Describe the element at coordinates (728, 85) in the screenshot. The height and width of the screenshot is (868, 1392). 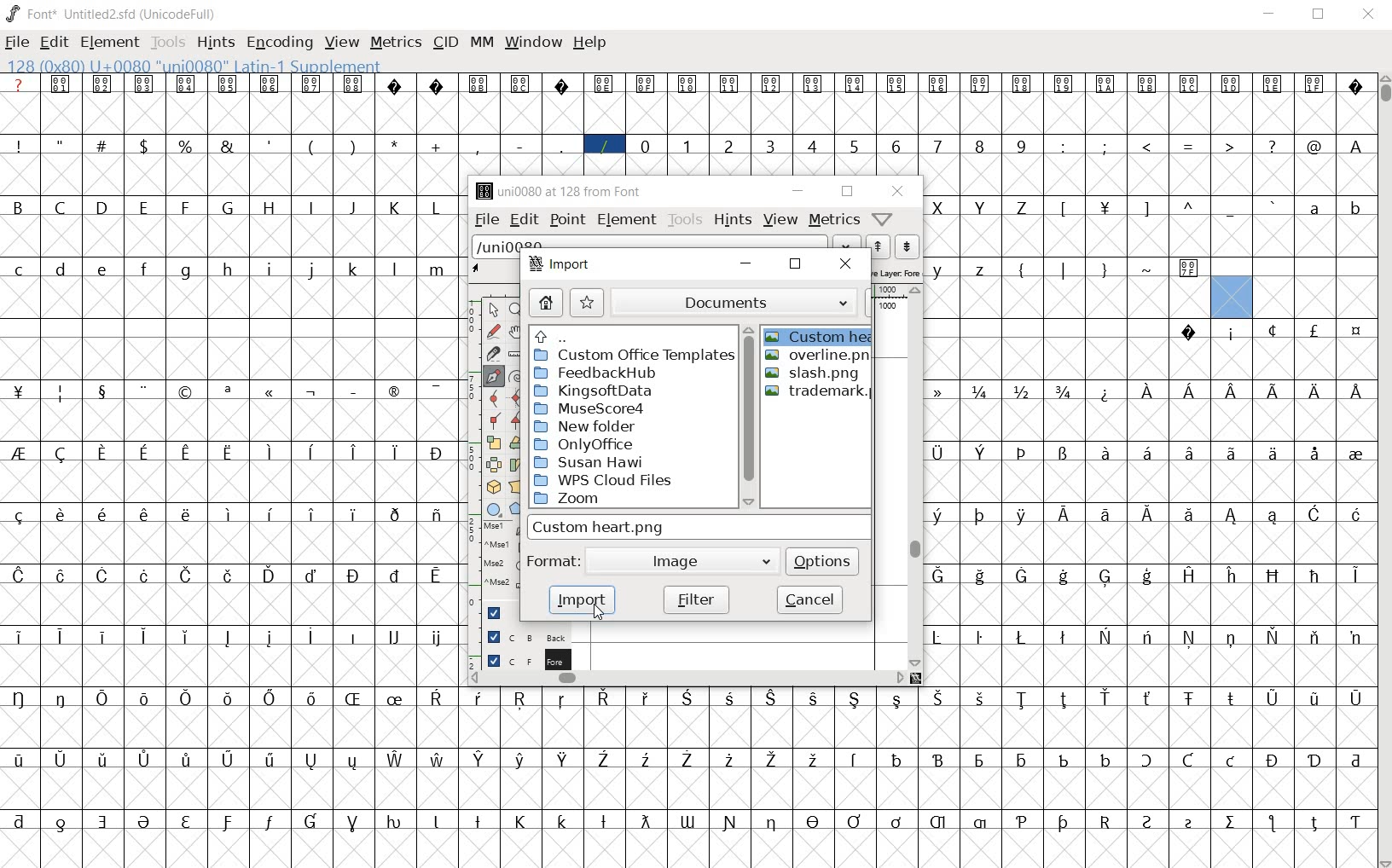
I see `glyph` at that location.